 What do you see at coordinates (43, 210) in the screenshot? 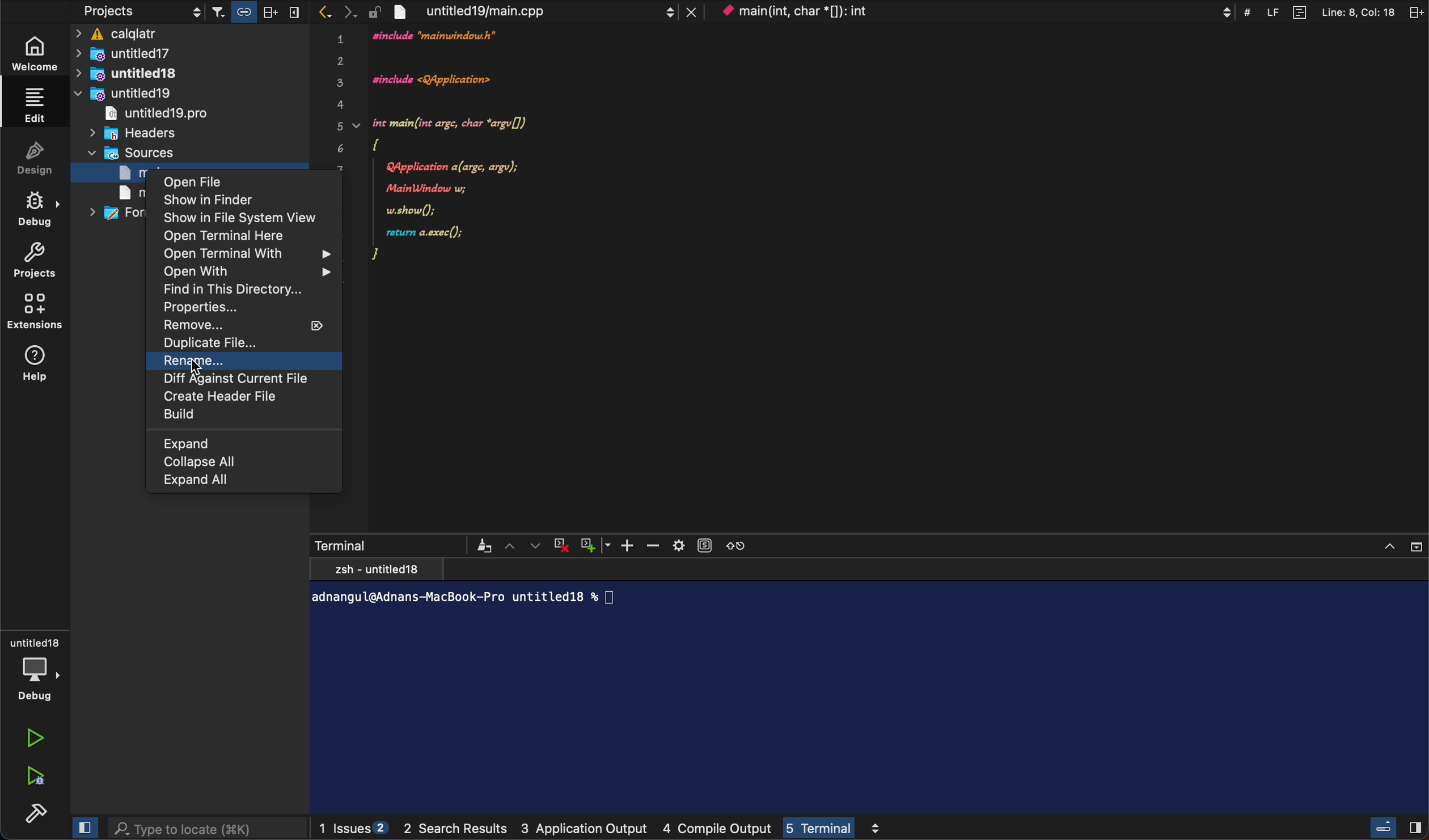
I see `debug` at bounding box center [43, 210].